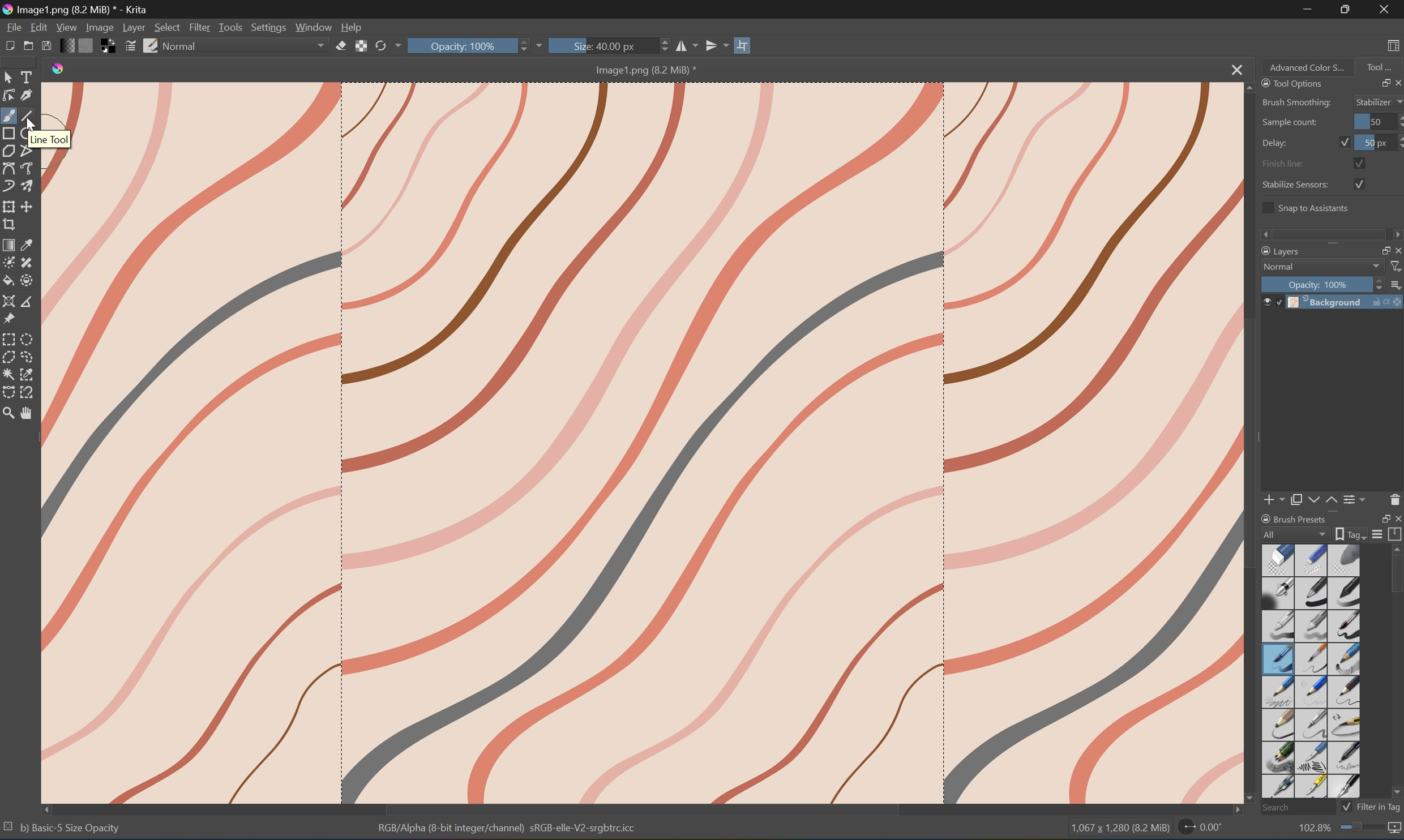 The image size is (1404, 840). Describe the element at coordinates (10, 302) in the screenshot. I see `Assistant tool` at that location.